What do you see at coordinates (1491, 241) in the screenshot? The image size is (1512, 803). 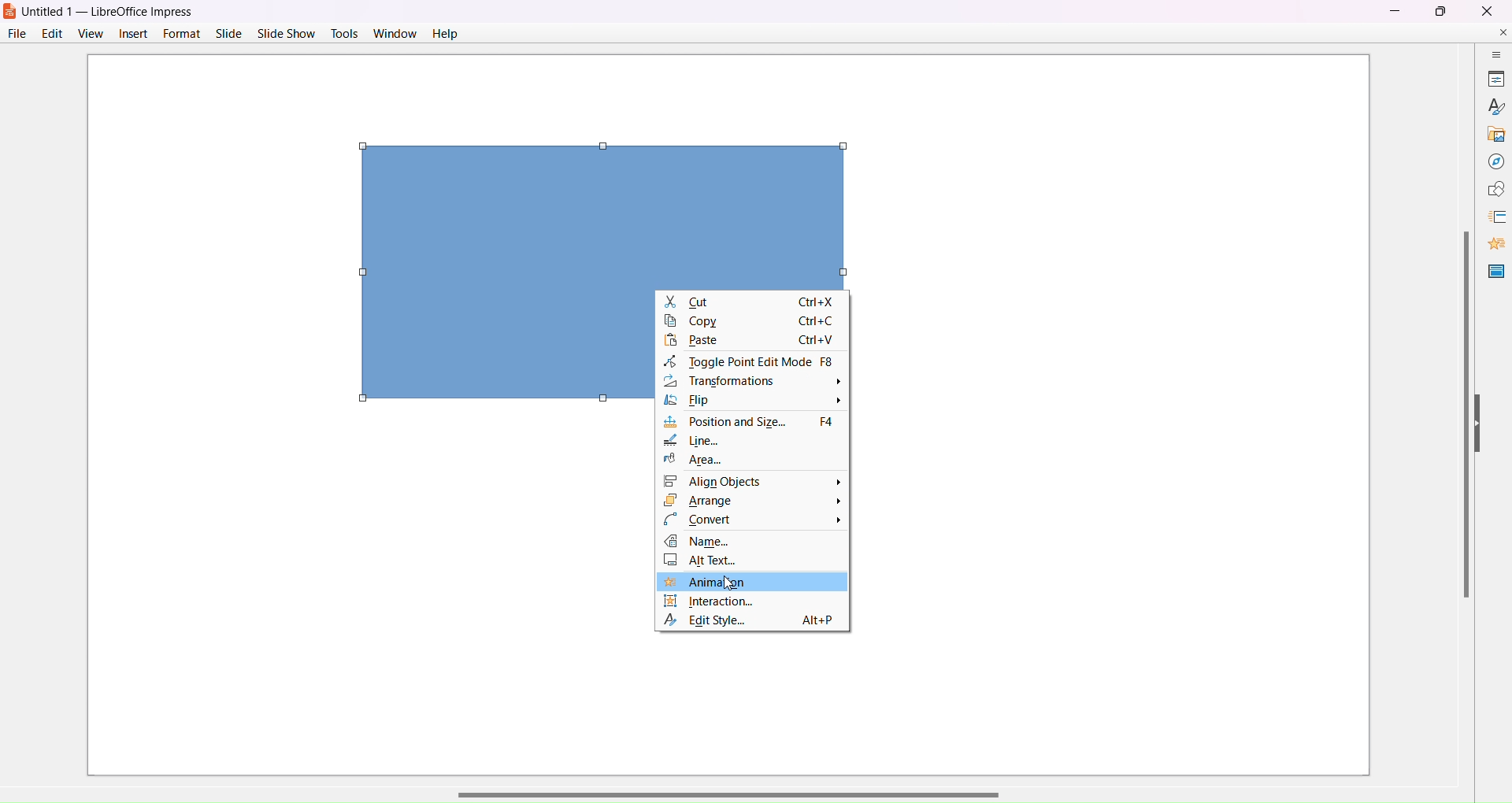 I see `Animations` at bounding box center [1491, 241].